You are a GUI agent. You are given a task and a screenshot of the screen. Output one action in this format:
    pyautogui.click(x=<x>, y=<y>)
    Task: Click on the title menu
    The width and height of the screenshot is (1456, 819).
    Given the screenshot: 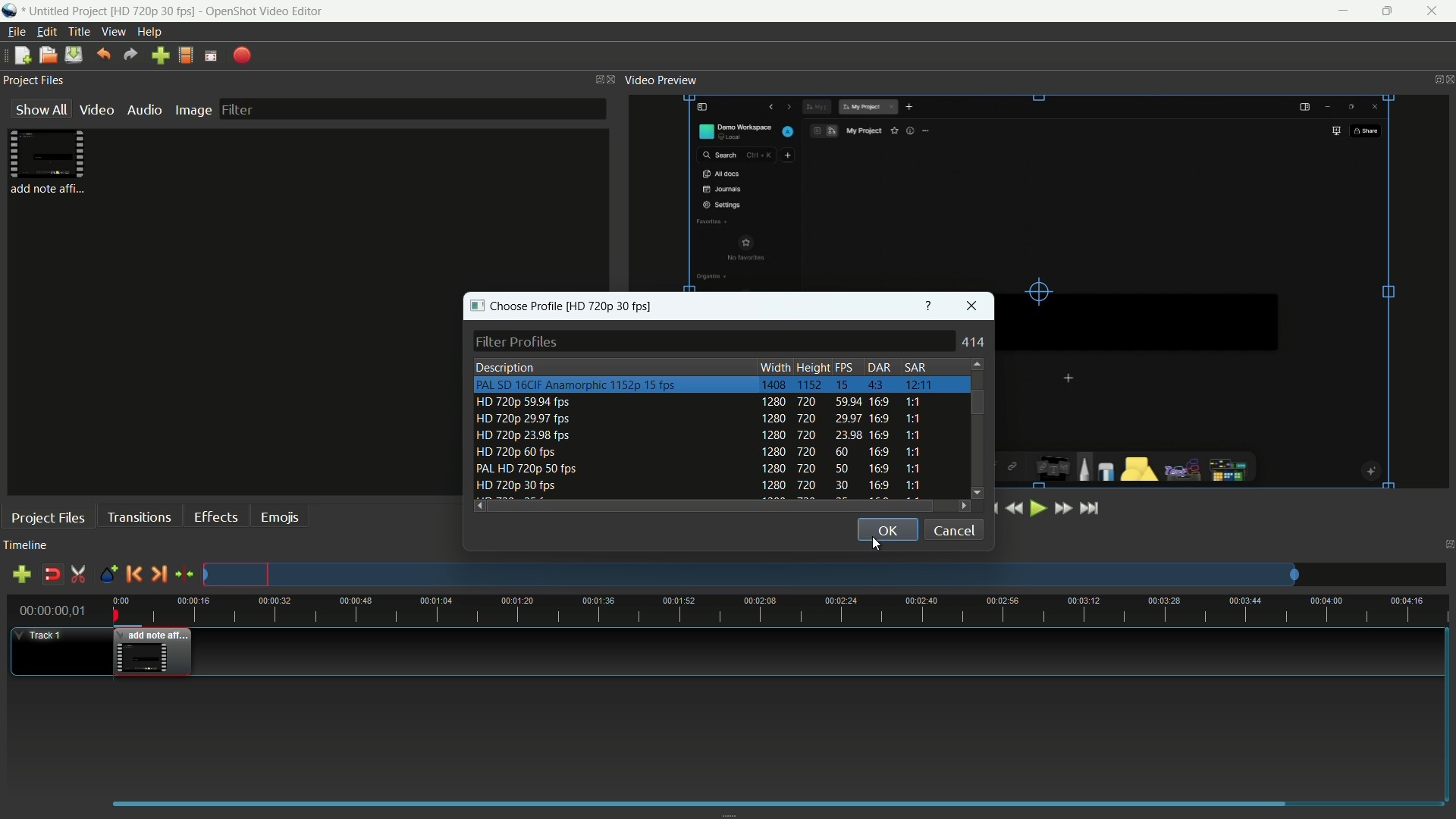 What is the action you would take?
    pyautogui.click(x=80, y=32)
    